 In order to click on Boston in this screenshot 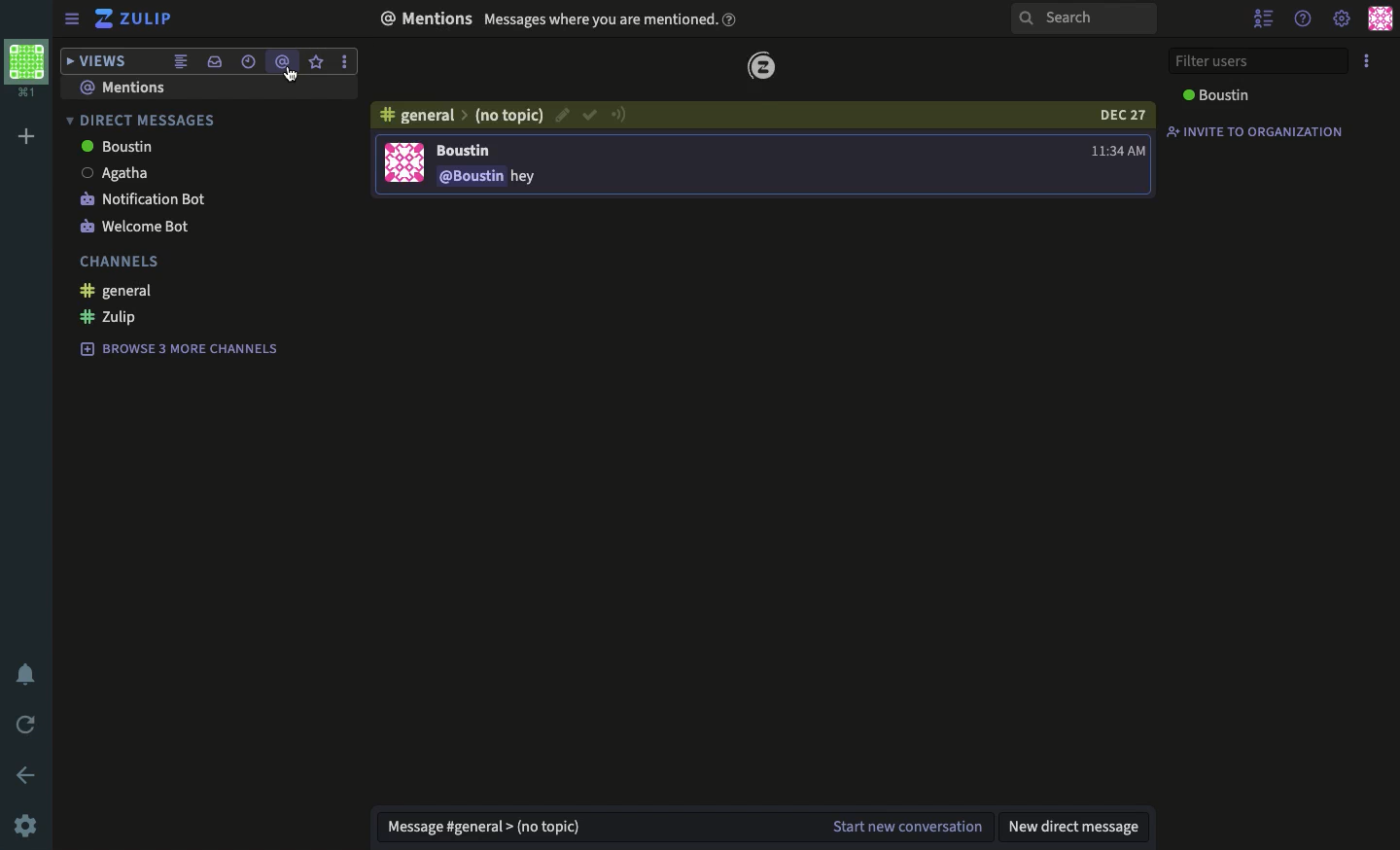, I will do `click(470, 151)`.